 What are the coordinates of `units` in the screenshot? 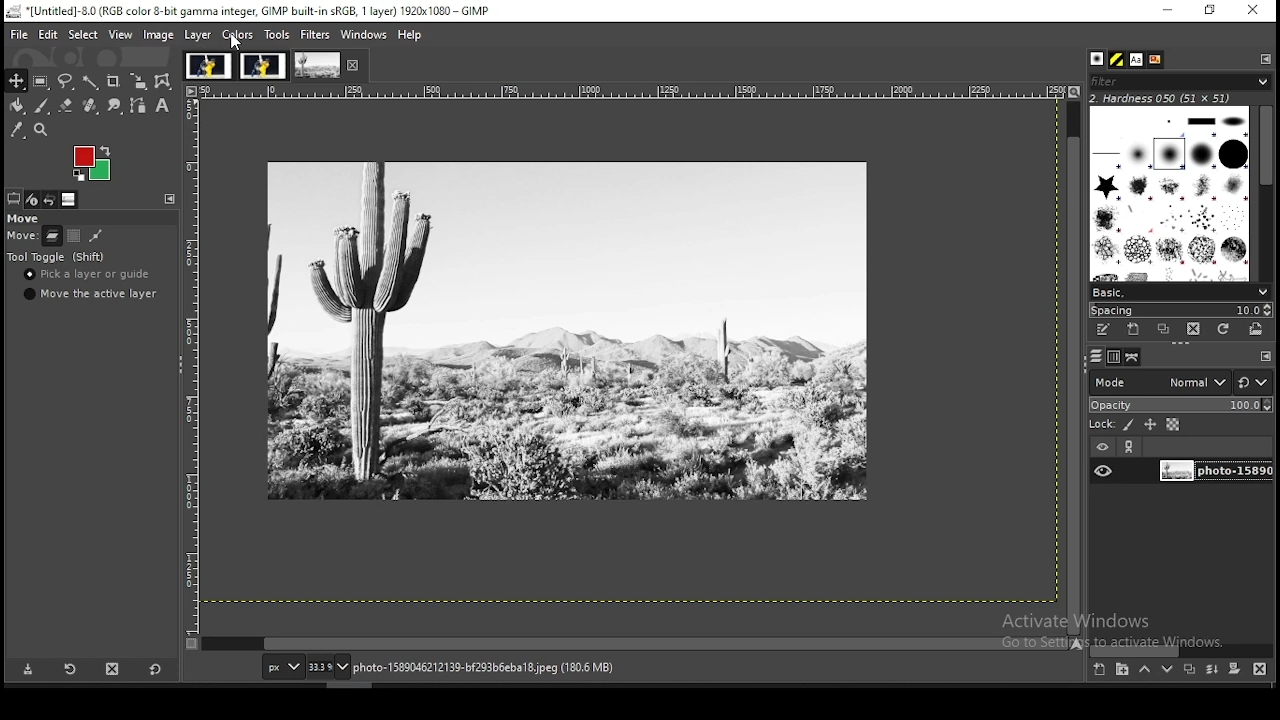 It's located at (280, 666).